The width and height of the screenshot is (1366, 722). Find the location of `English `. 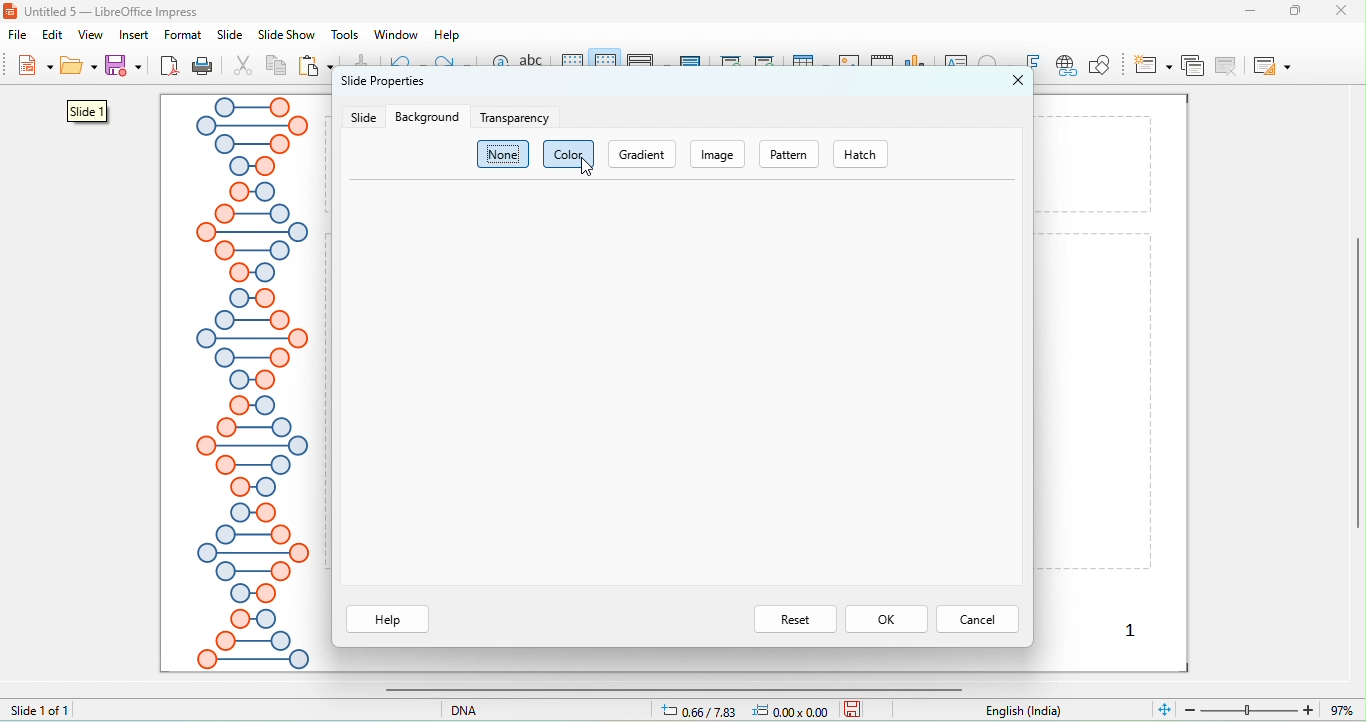

English  is located at coordinates (1035, 711).